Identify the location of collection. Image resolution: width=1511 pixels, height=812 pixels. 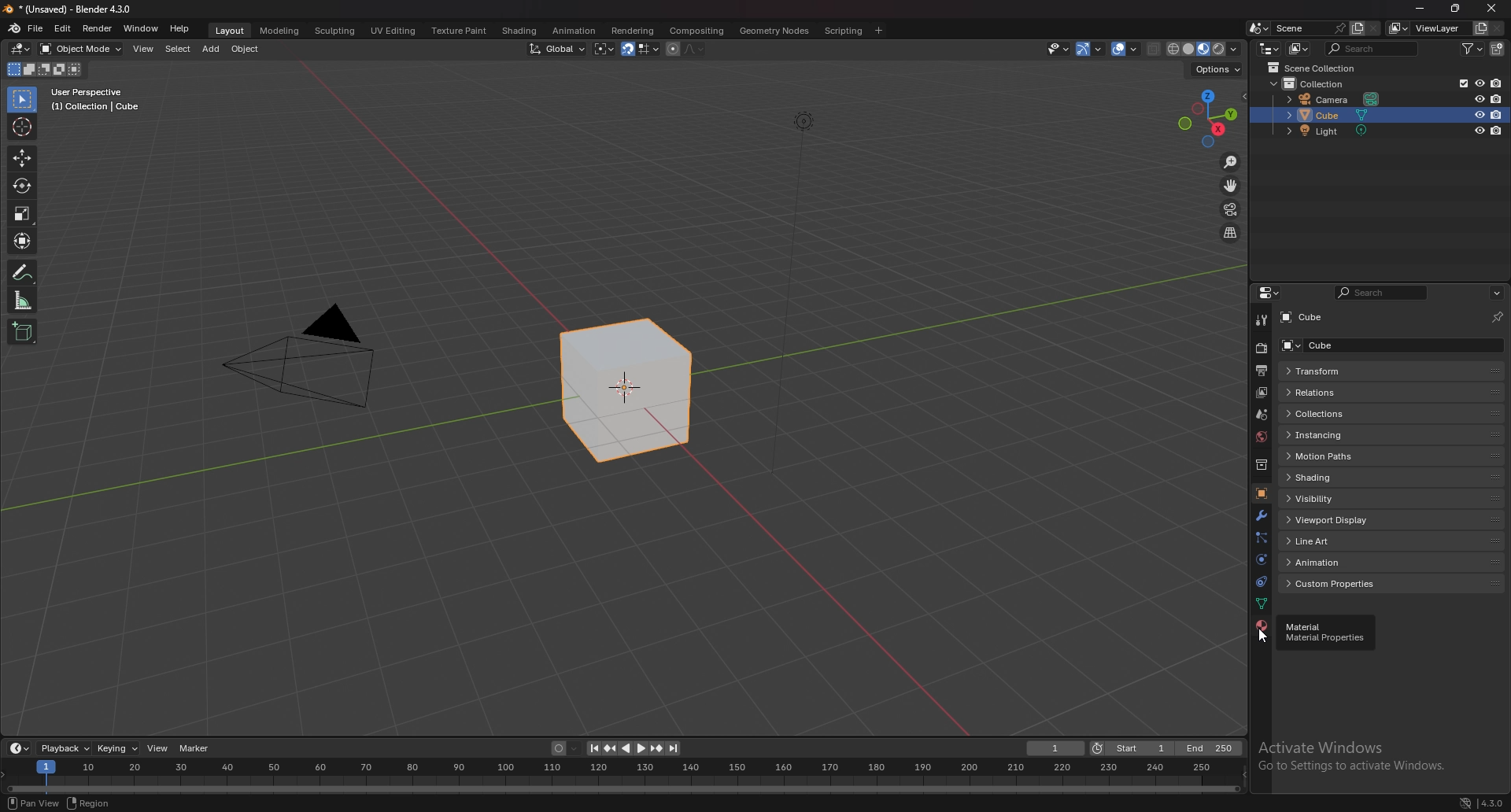
(1324, 83).